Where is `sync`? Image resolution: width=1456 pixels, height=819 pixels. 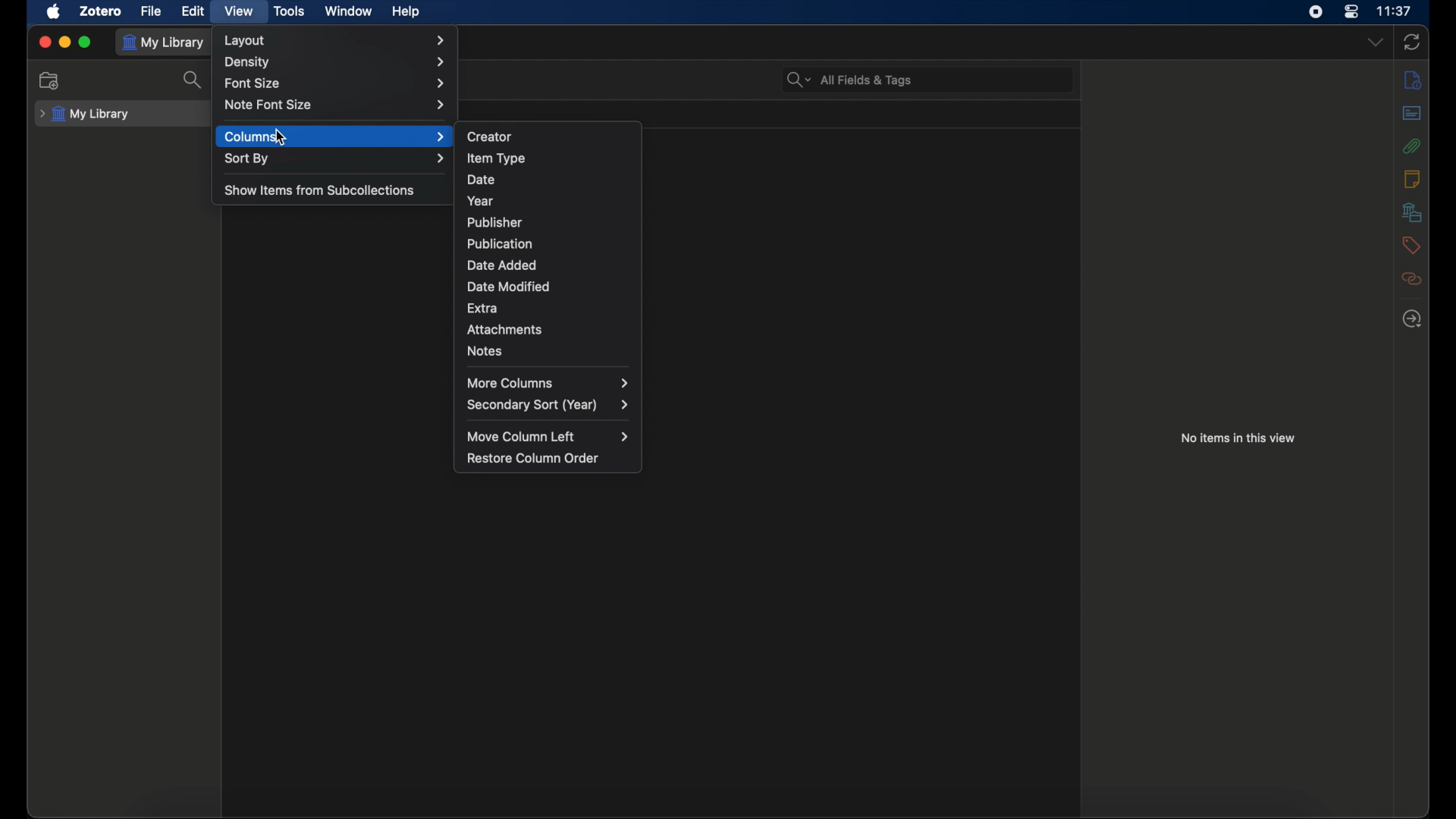
sync is located at coordinates (1412, 42).